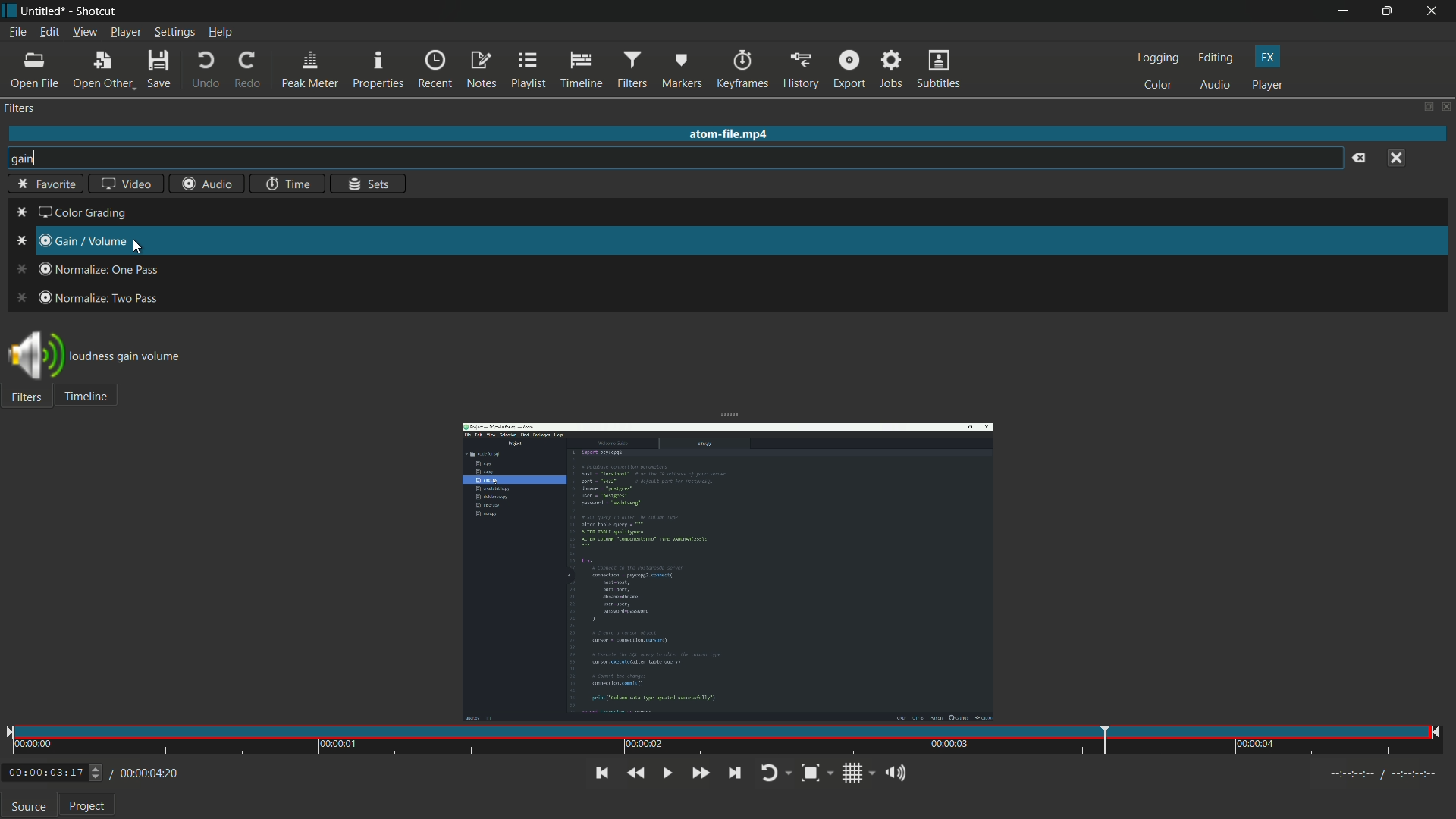 Image resolution: width=1456 pixels, height=819 pixels. I want to click on fx, so click(1267, 58).